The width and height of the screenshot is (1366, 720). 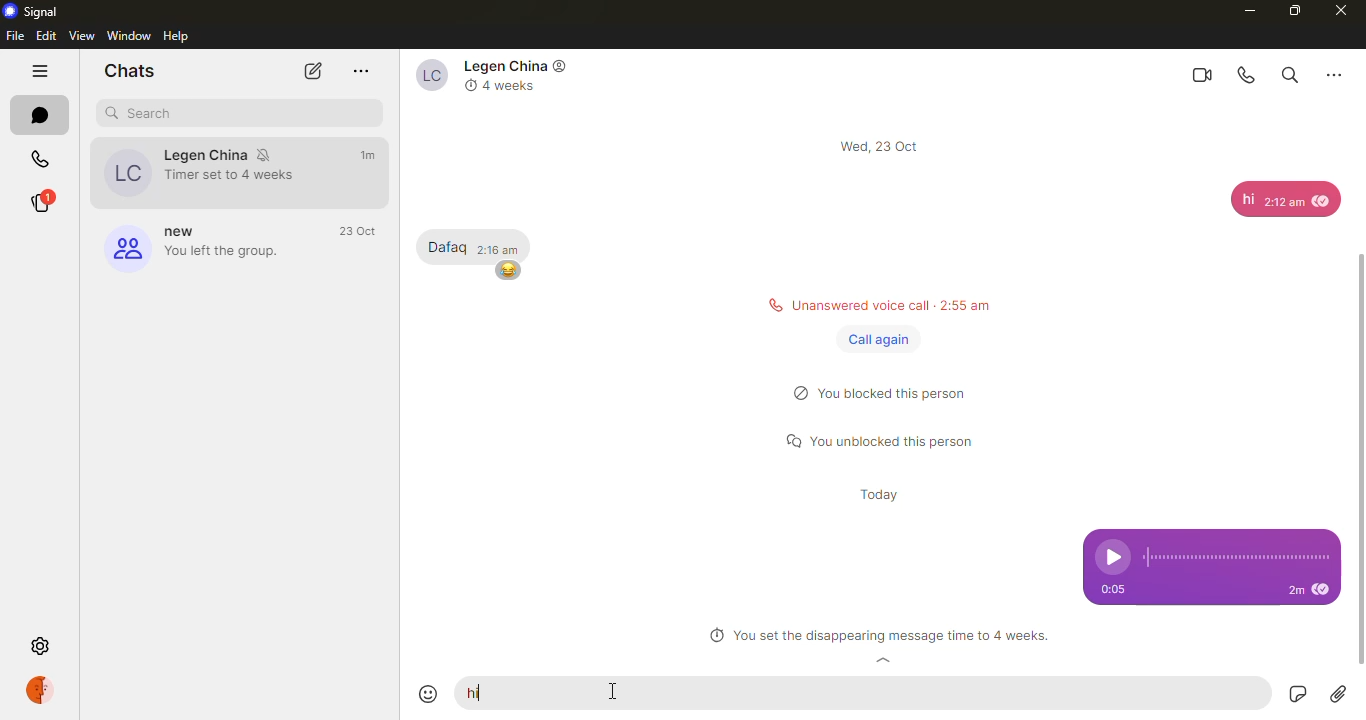 I want to click on 2m, so click(x=1294, y=591).